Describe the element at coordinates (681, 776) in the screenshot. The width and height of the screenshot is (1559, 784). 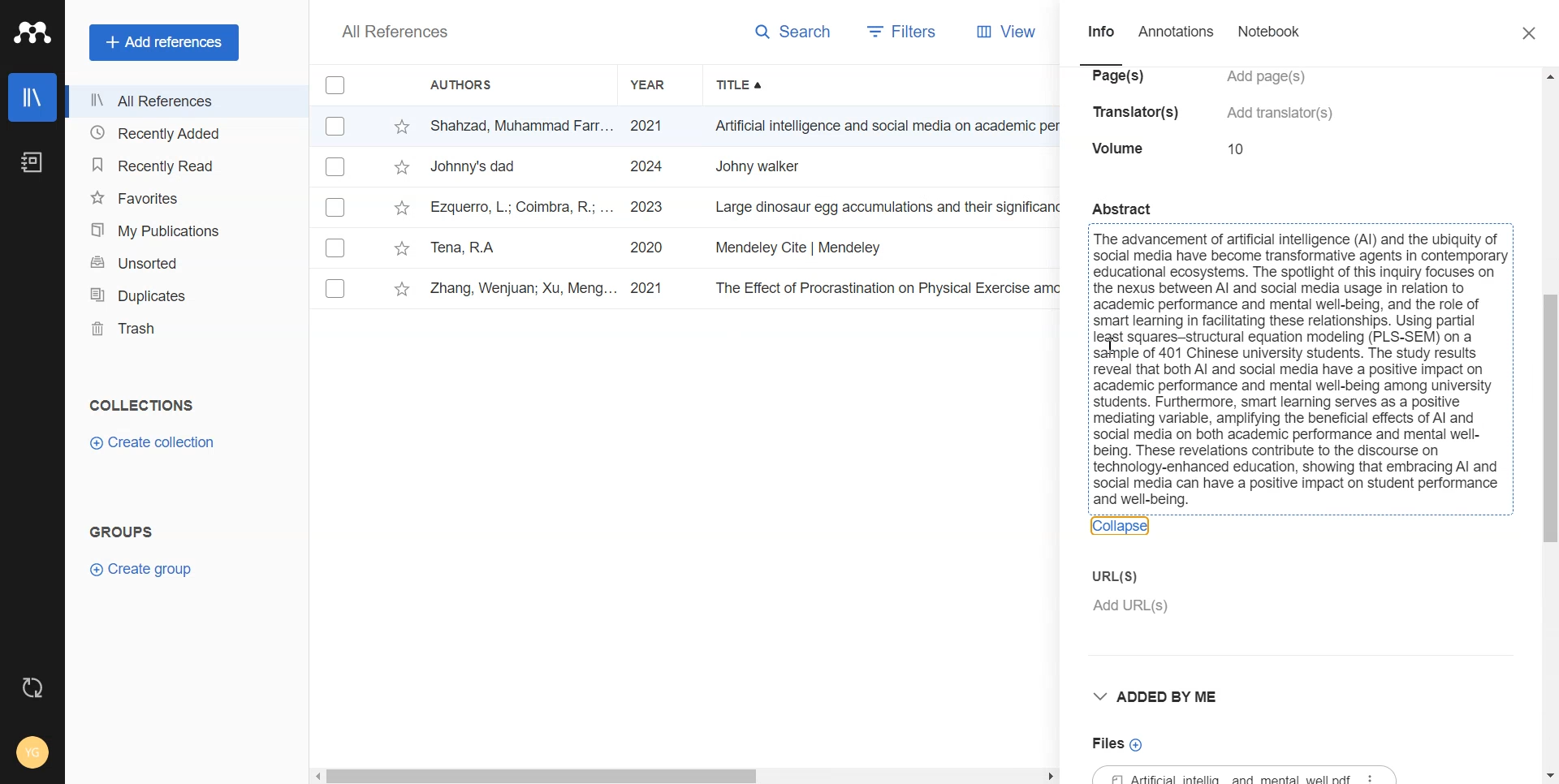
I see `Horizontal Scroll bar` at that location.